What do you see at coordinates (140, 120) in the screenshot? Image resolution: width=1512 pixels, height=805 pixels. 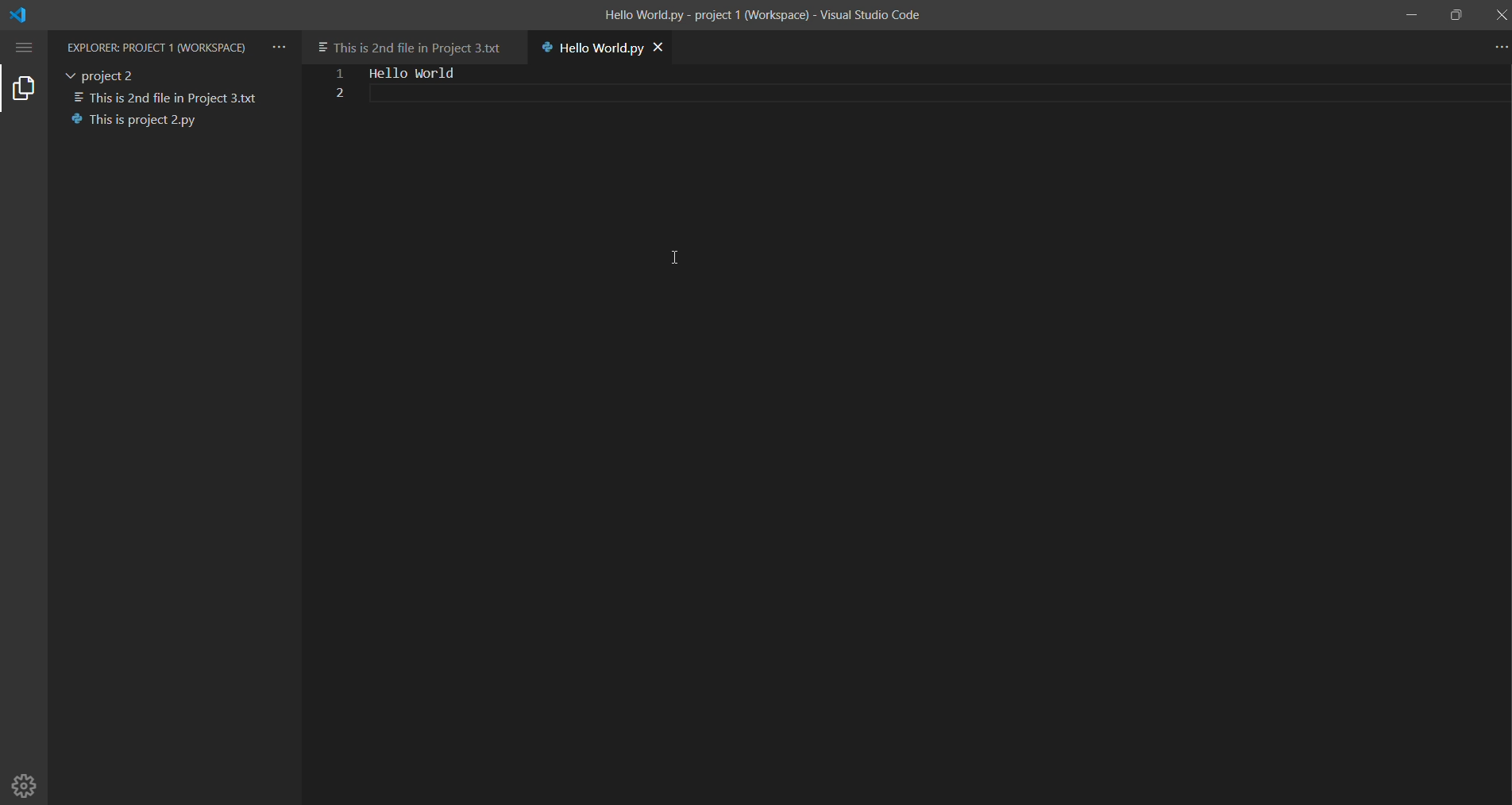 I see `This is project 2.py` at bounding box center [140, 120].